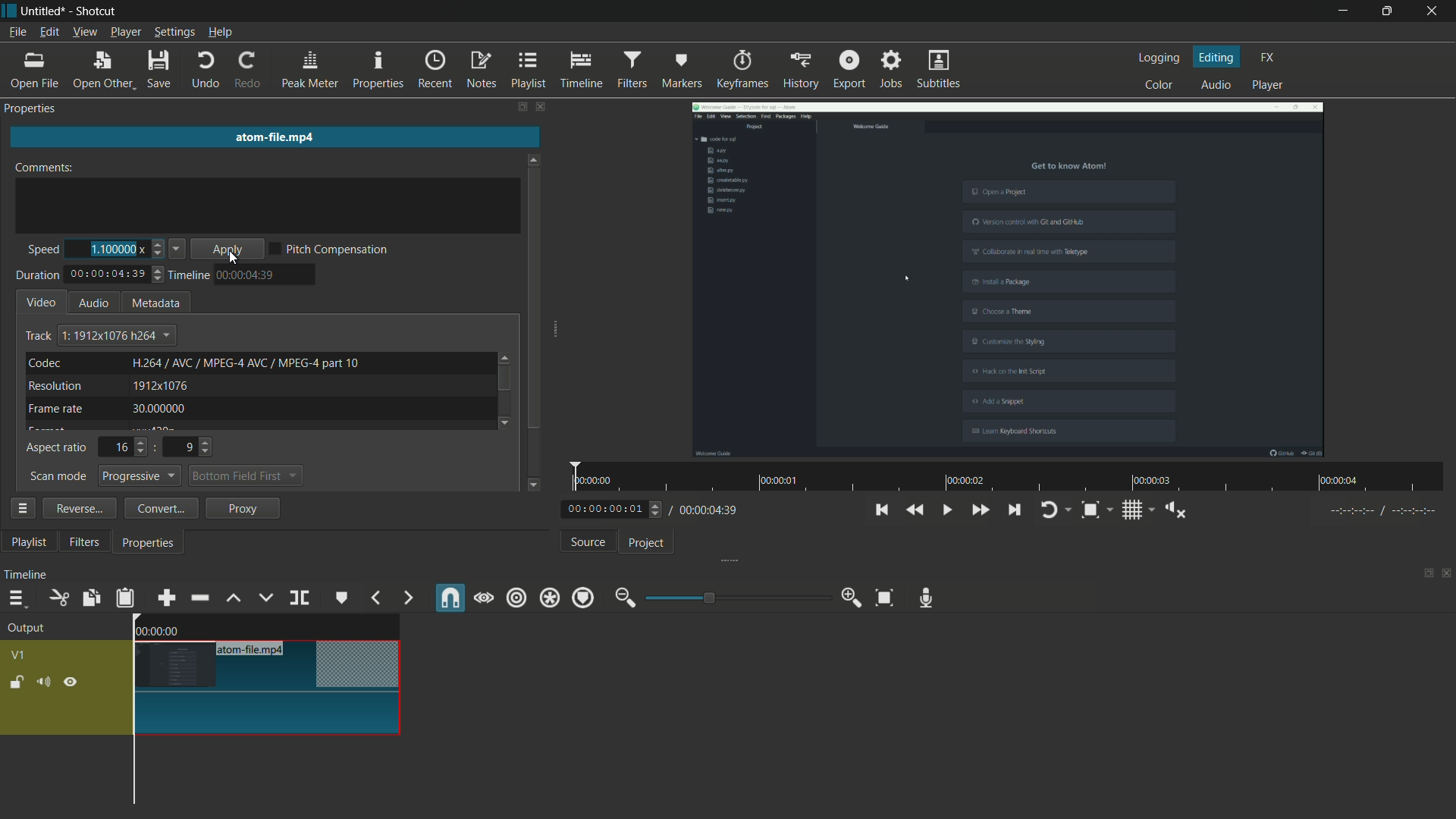 This screenshot has height=819, width=1456. What do you see at coordinates (18, 32) in the screenshot?
I see `file menu` at bounding box center [18, 32].